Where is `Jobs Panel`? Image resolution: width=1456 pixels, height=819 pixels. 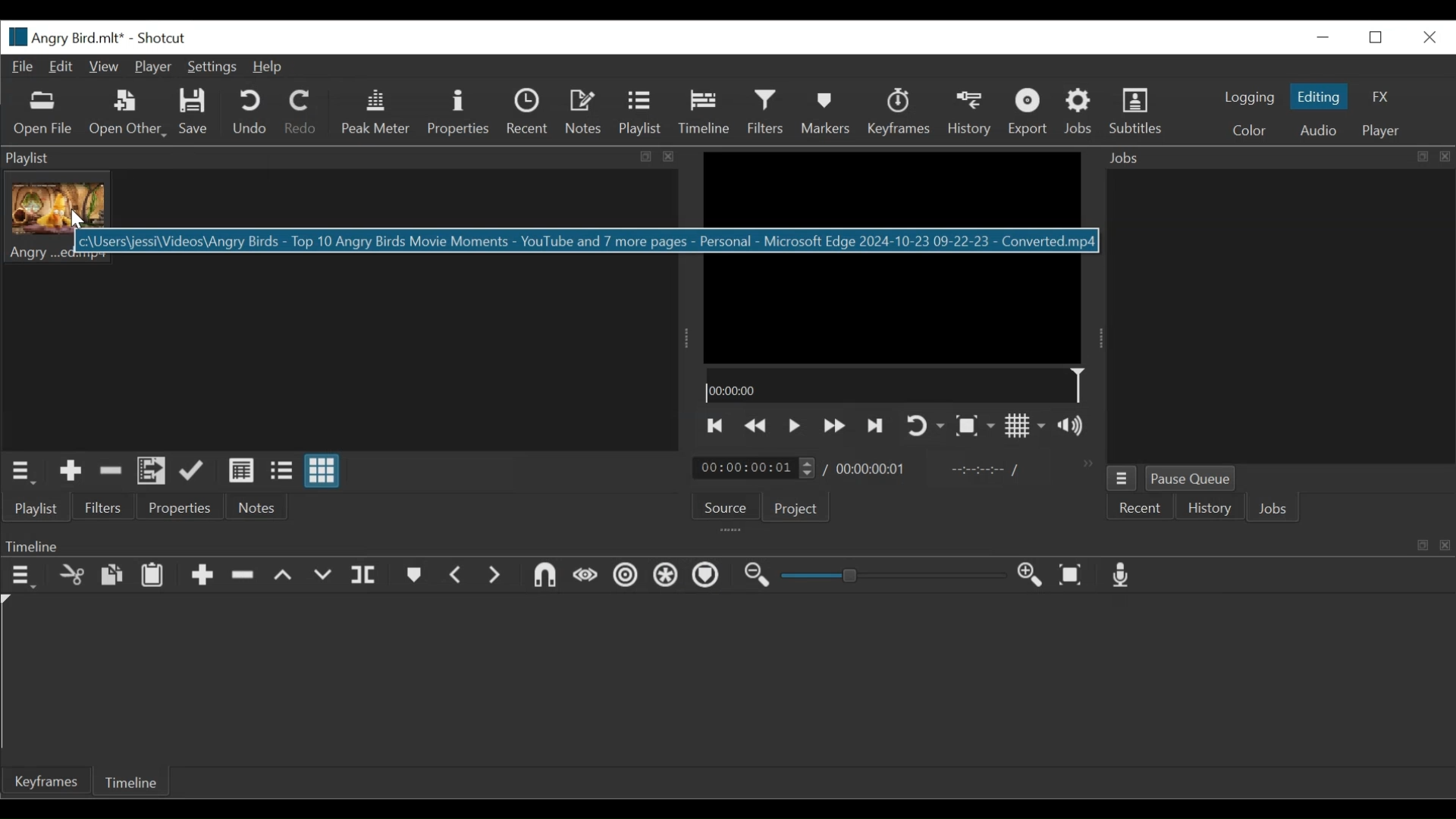 Jobs Panel is located at coordinates (1279, 315).